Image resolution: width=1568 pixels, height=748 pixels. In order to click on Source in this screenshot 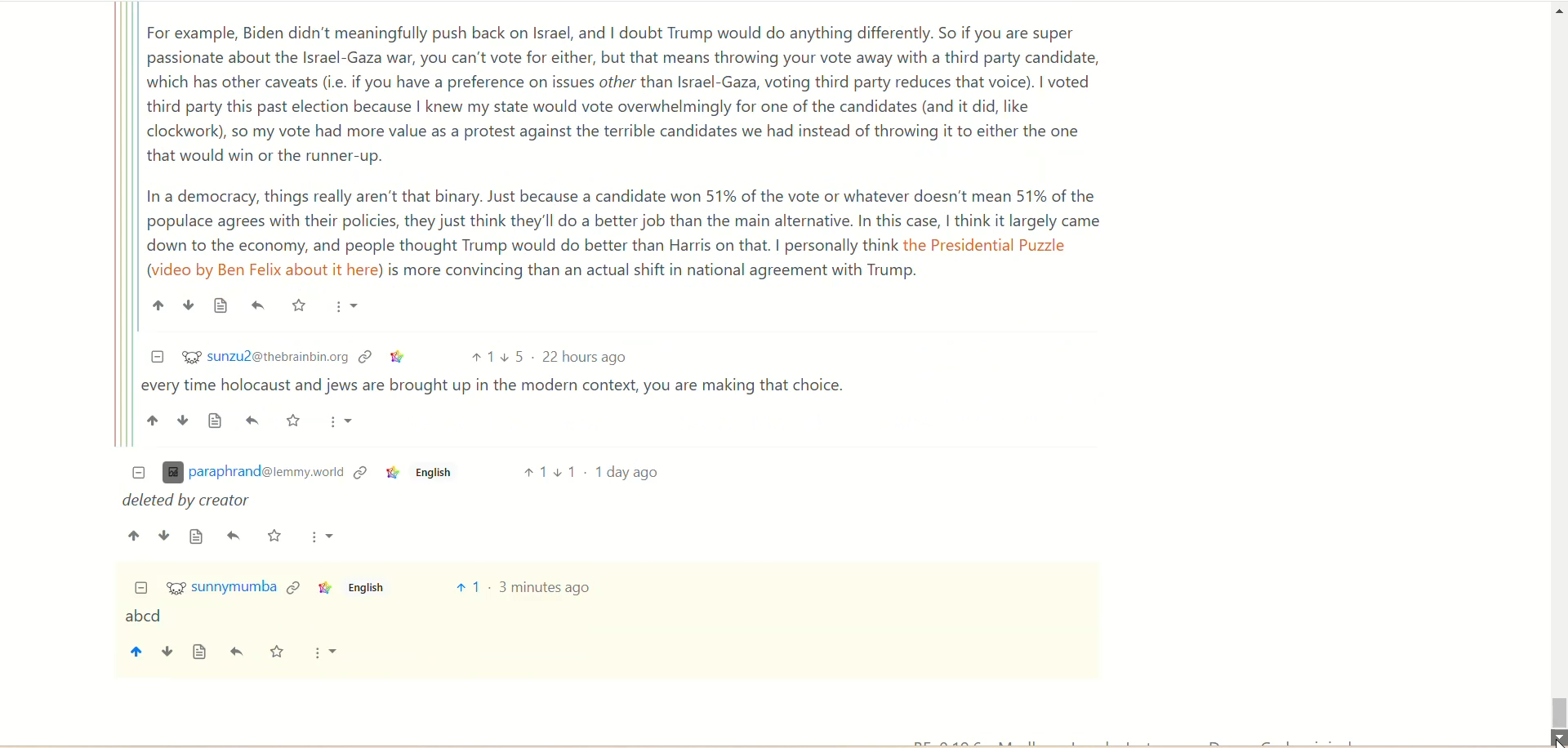, I will do `click(223, 305)`.